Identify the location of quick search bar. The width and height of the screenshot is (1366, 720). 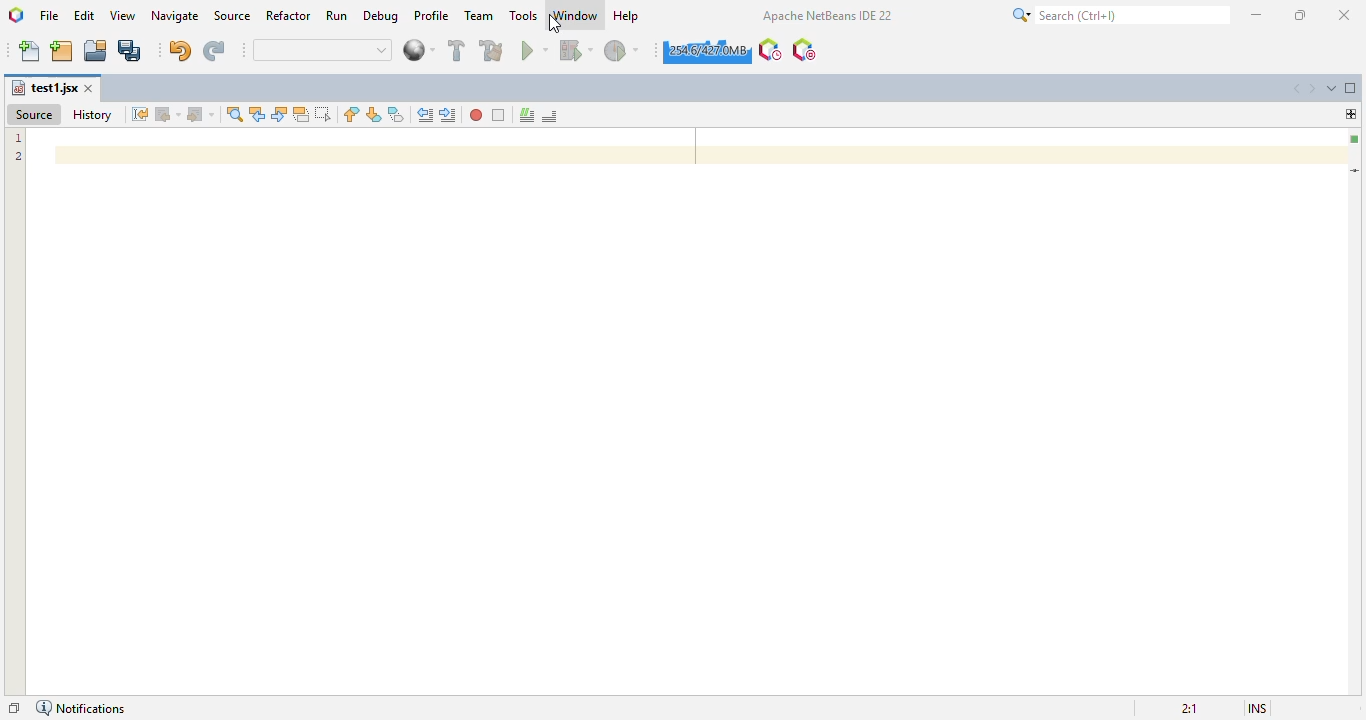
(323, 50).